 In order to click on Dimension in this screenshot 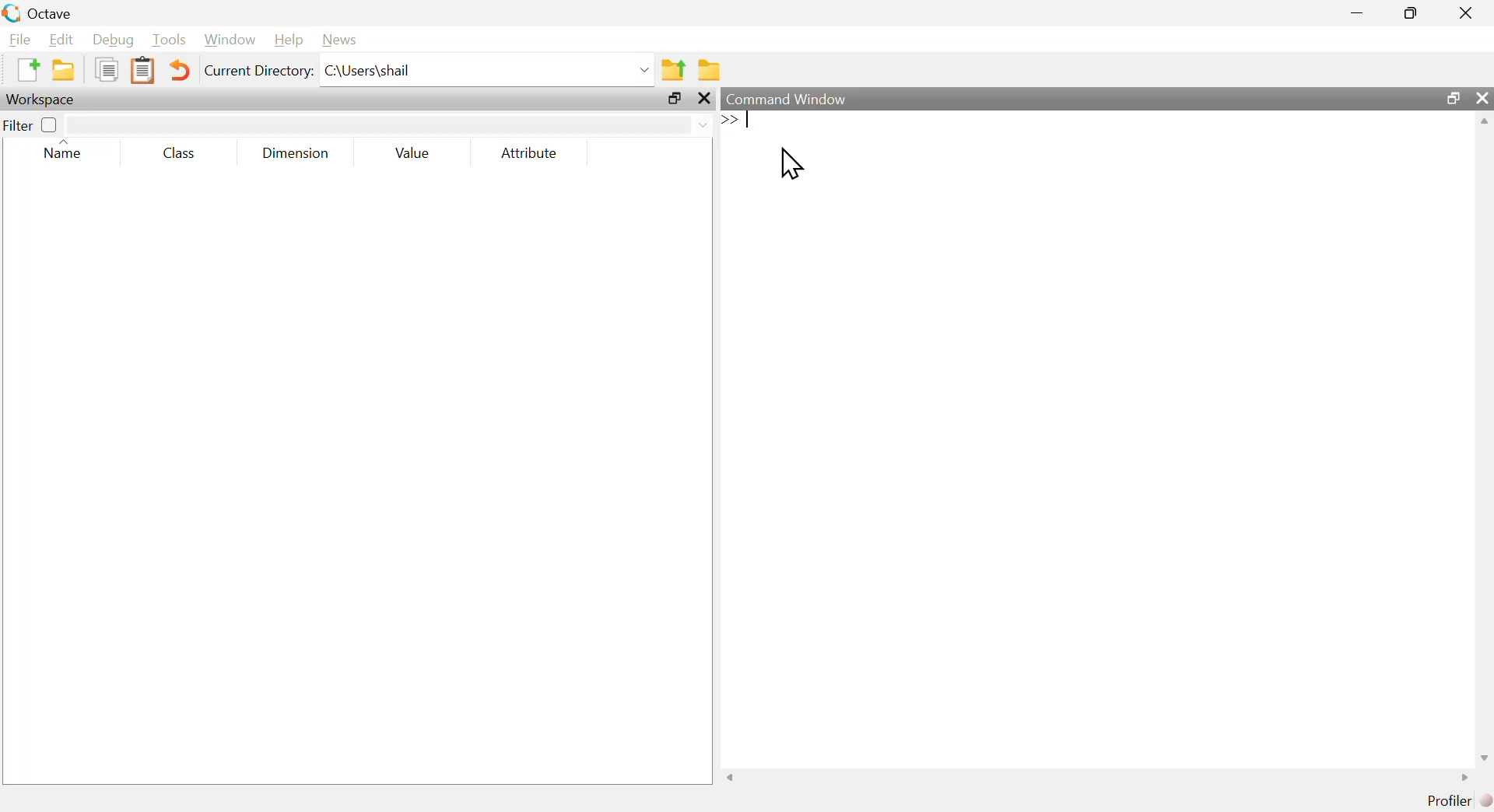, I will do `click(299, 156)`.